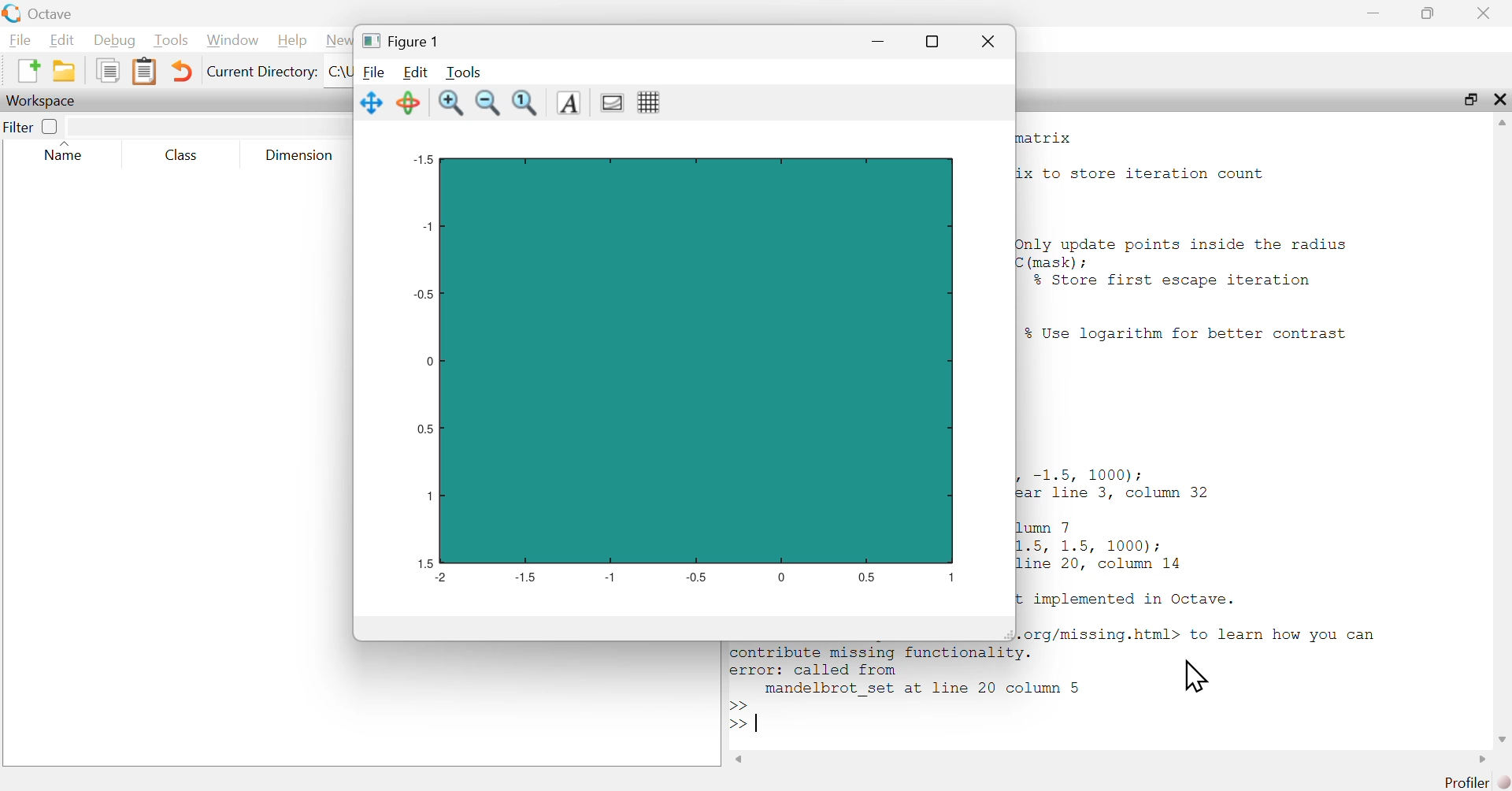  Describe the element at coordinates (1484, 11) in the screenshot. I see `close` at that location.